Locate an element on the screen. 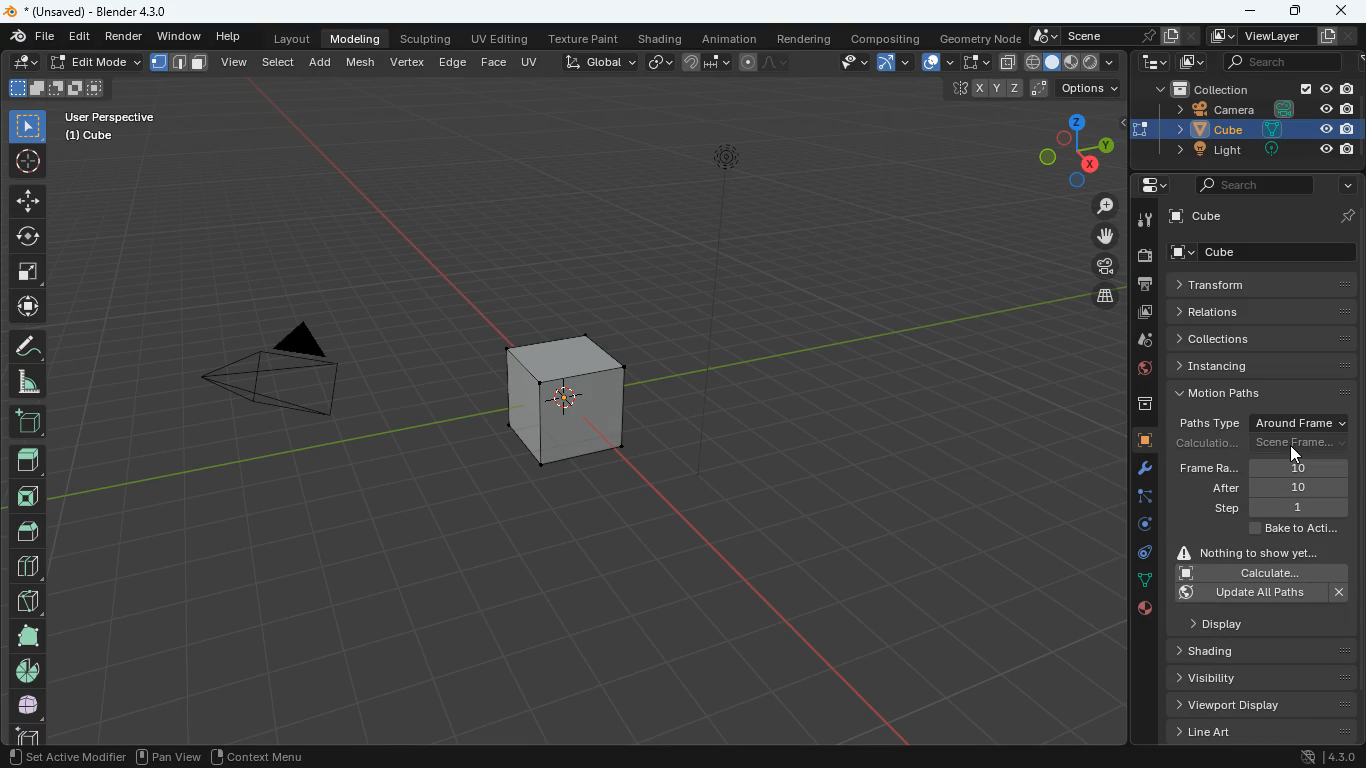 Image resolution: width=1366 pixels, height=768 pixels. roof is located at coordinates (30, 531).